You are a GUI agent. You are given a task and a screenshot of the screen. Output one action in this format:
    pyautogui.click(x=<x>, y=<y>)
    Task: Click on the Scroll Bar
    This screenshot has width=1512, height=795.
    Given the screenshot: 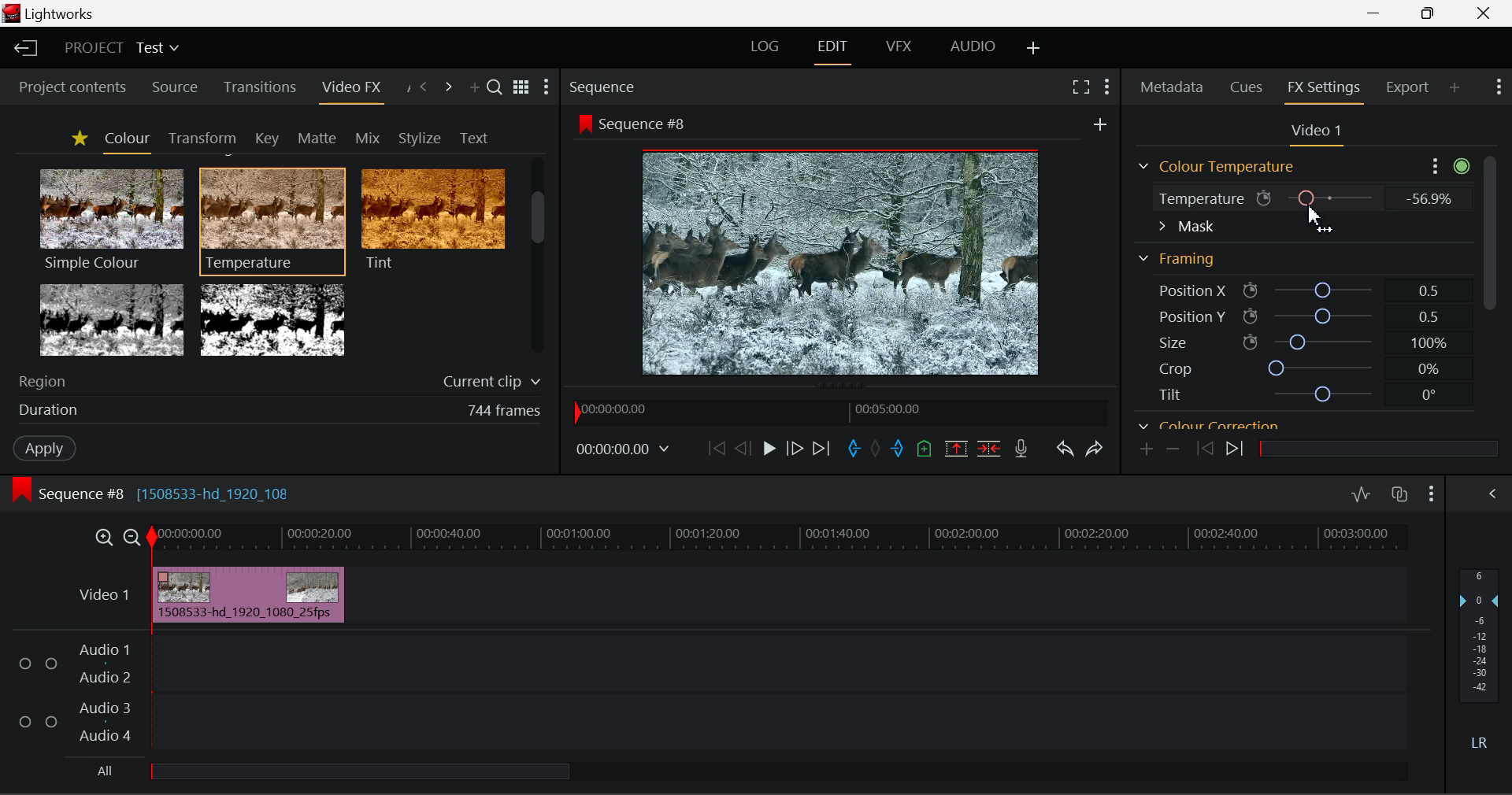 What is the action you would take?
    pyautogui.click(x=1492, y=275)
    